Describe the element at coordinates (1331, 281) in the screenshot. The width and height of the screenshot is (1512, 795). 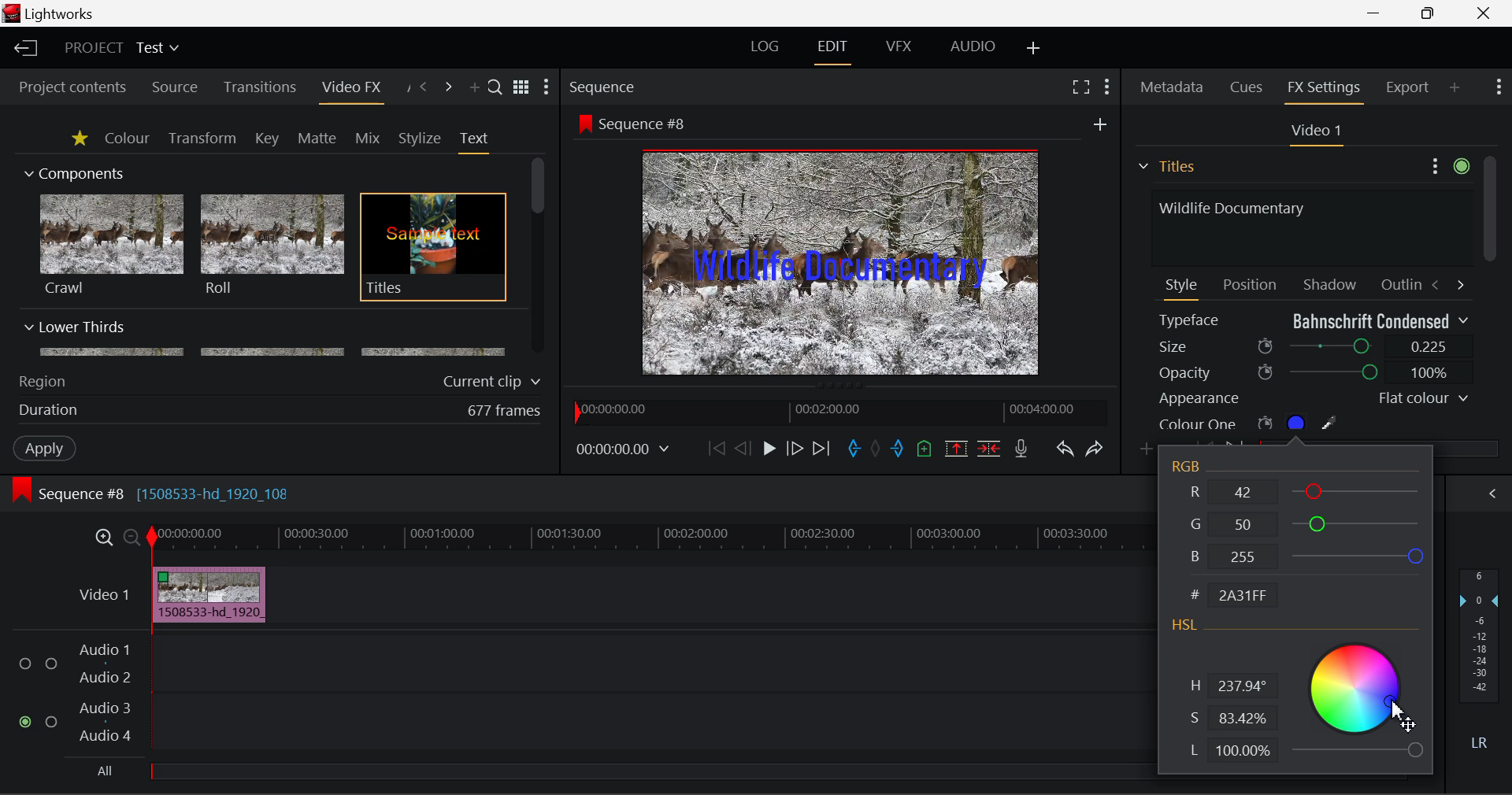
I see `Shadow` at that location.